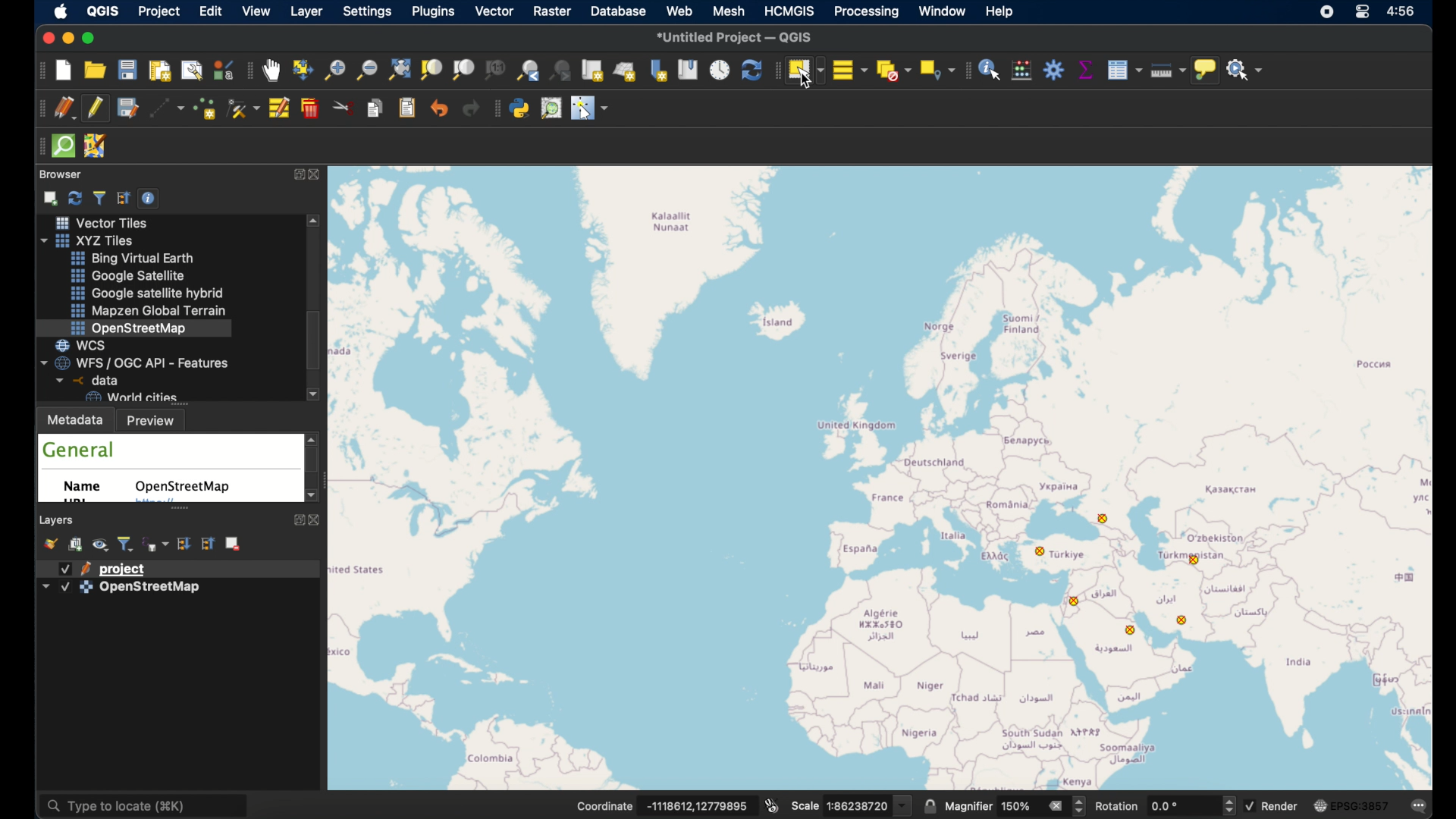  Describe the element at coordinates (45, 37) in the screenshot. I see `close` at that location.